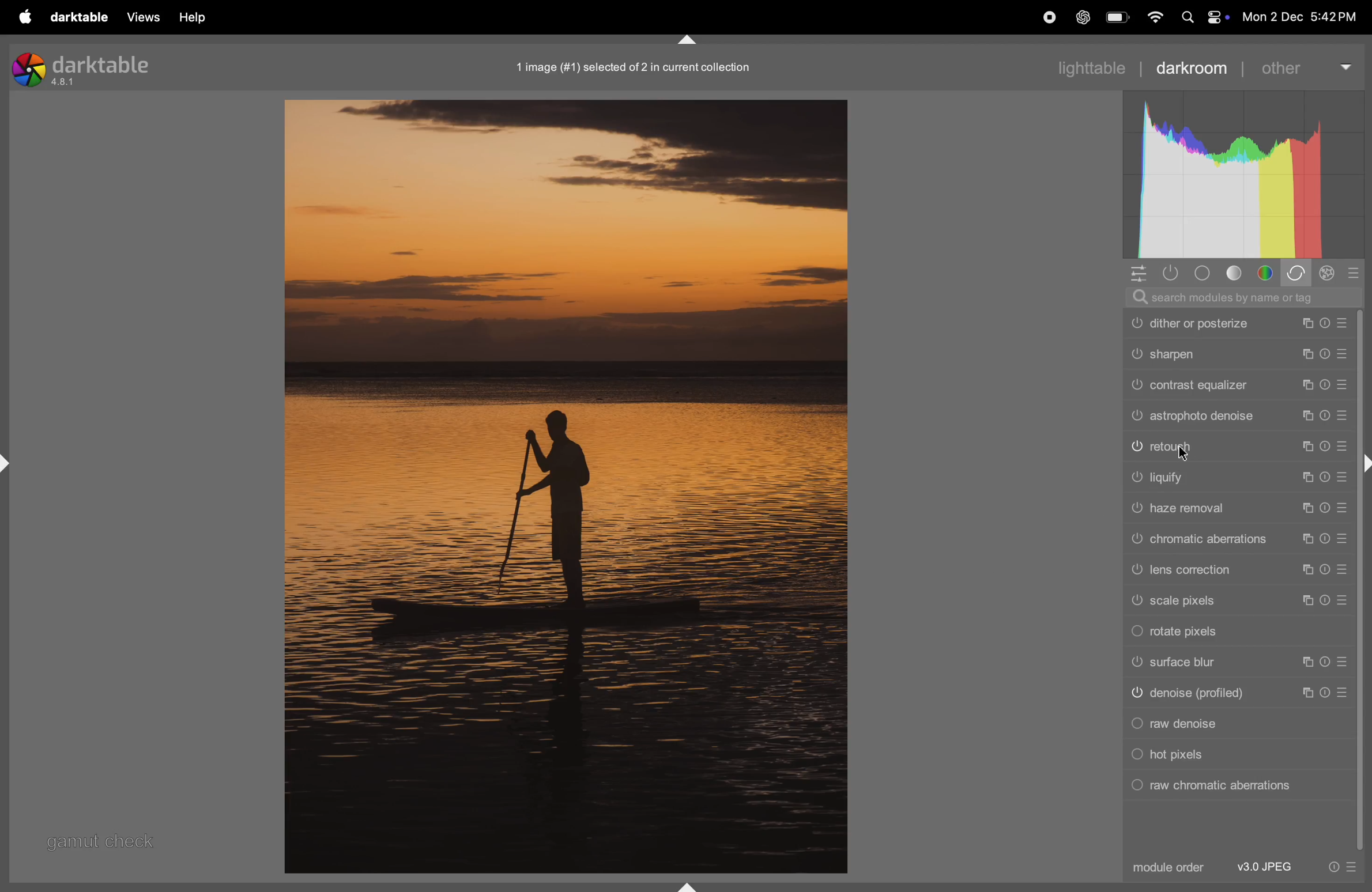 The width and height of the screenshot is (1372, 892). I want to click on tones, so click(1238, 273).